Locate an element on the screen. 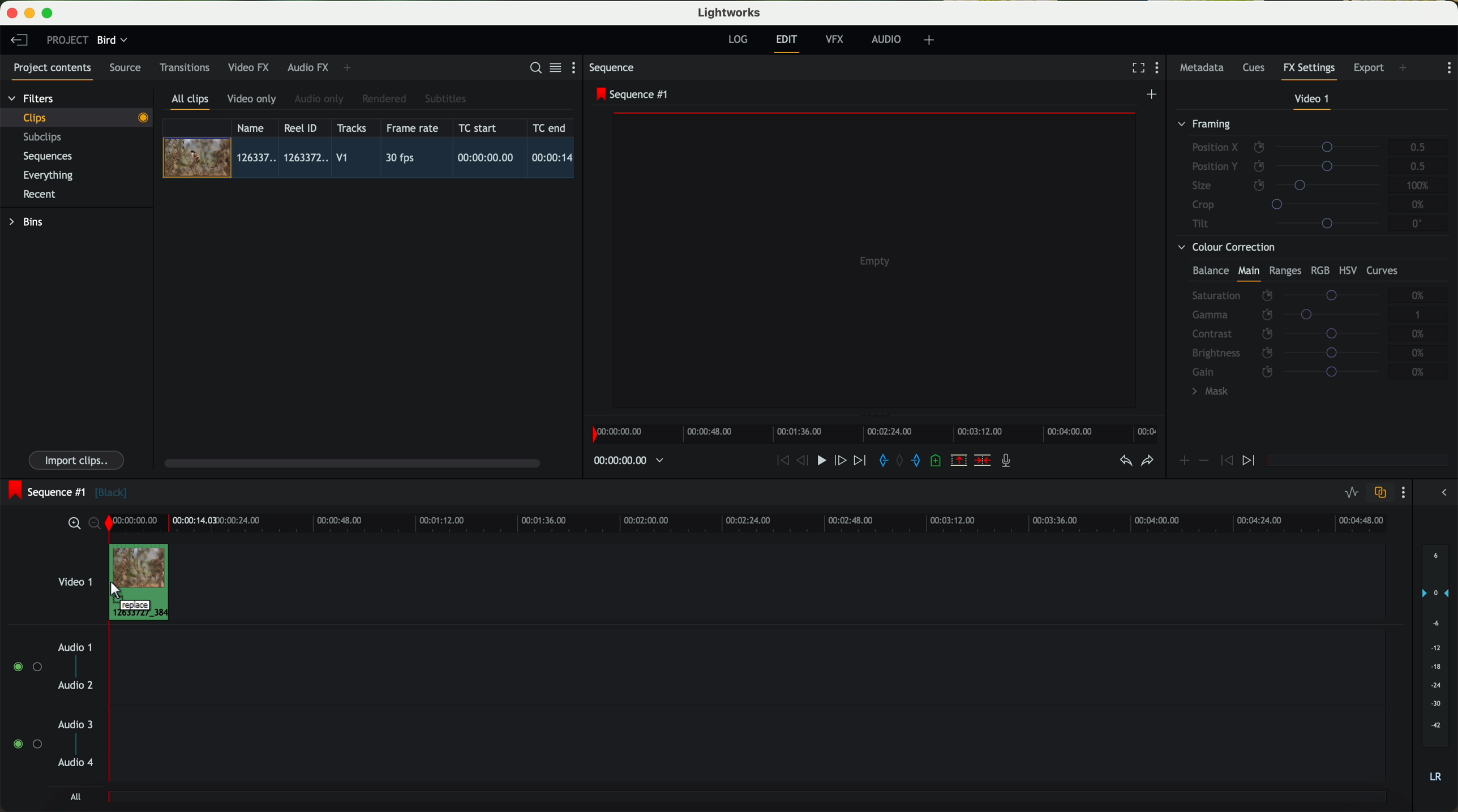 The width and height of the screenshot is (1458, 812). frame rate is located at coordinates (413, 128).